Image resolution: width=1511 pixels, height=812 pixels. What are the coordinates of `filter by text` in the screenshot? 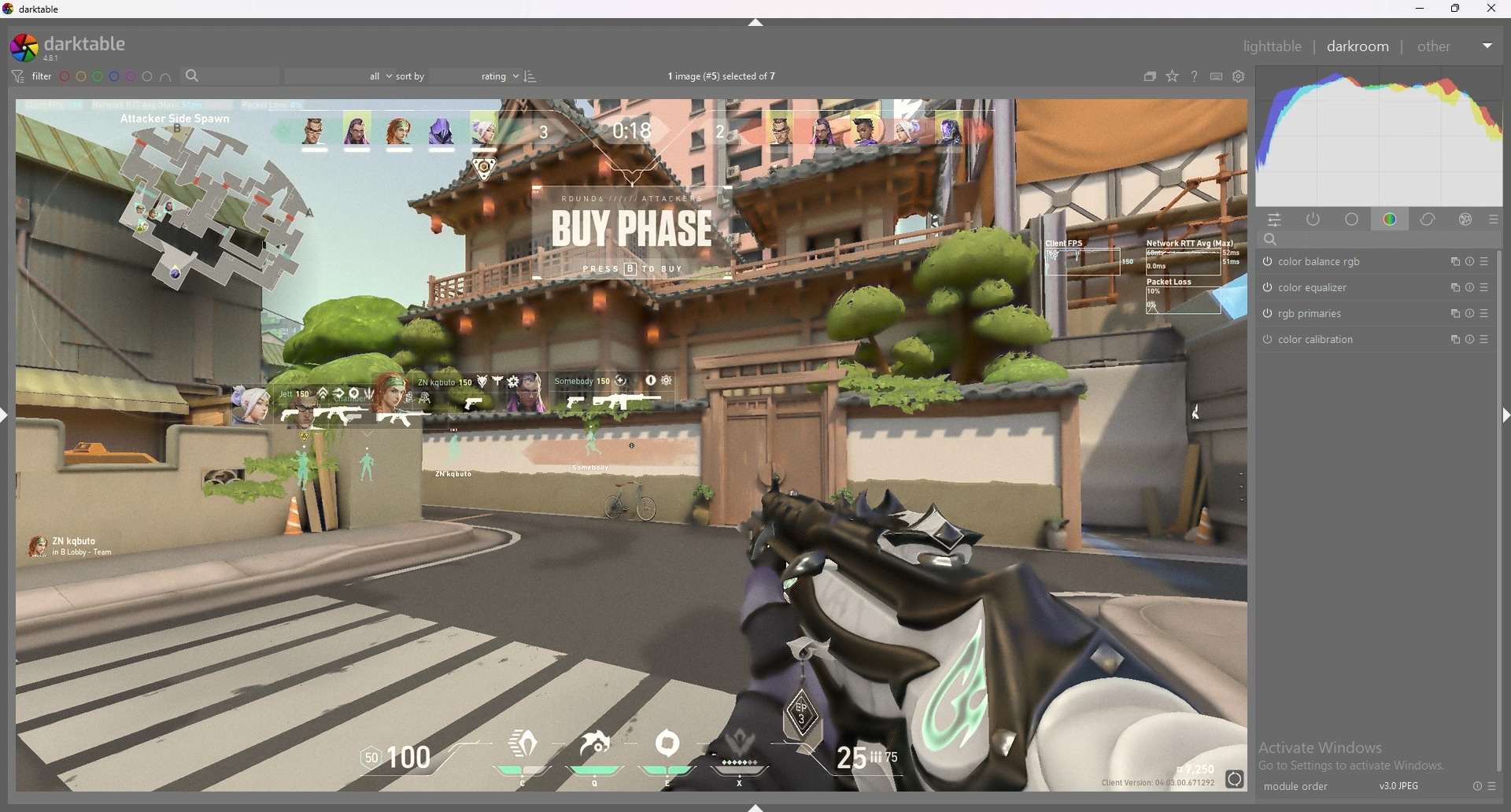 It's located at (230, 76).